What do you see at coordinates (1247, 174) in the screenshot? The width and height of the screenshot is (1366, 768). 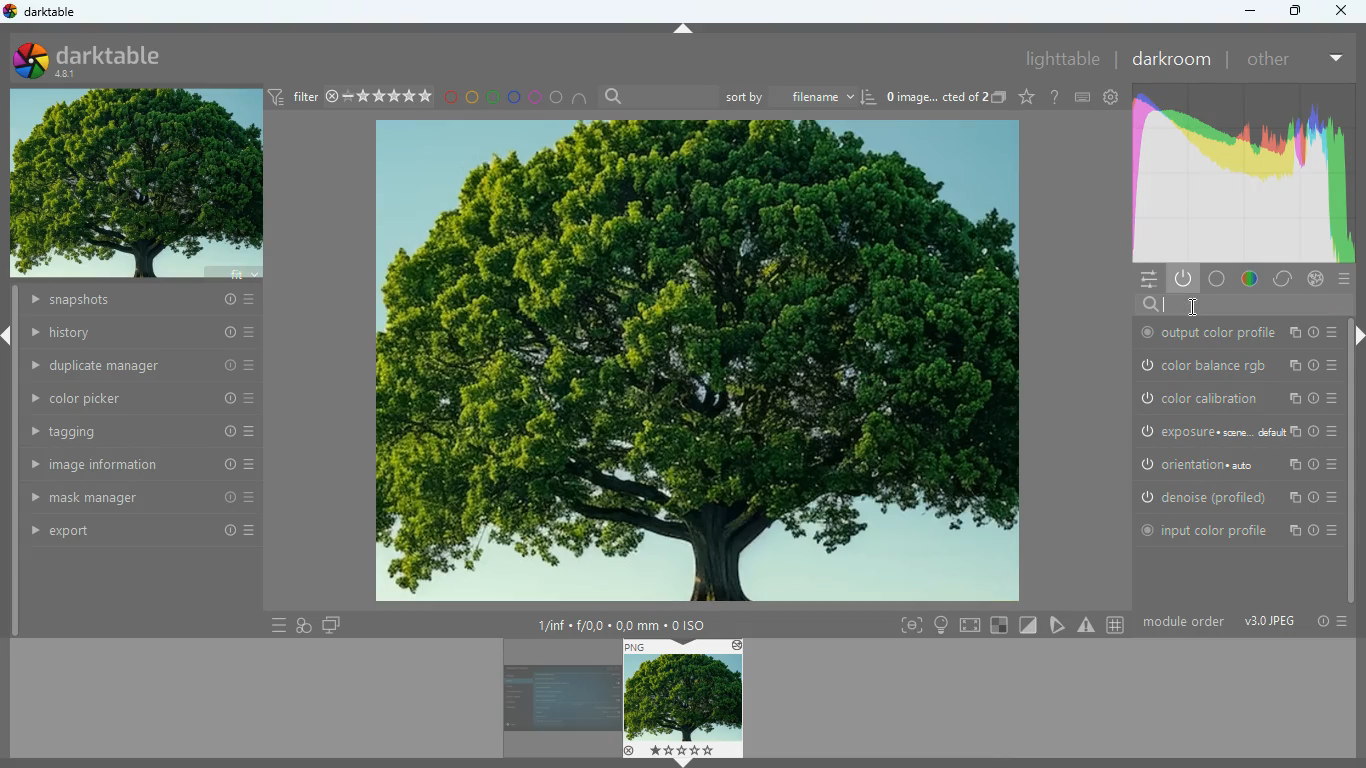 I see `gradient` at bounding box center [1247, 174].